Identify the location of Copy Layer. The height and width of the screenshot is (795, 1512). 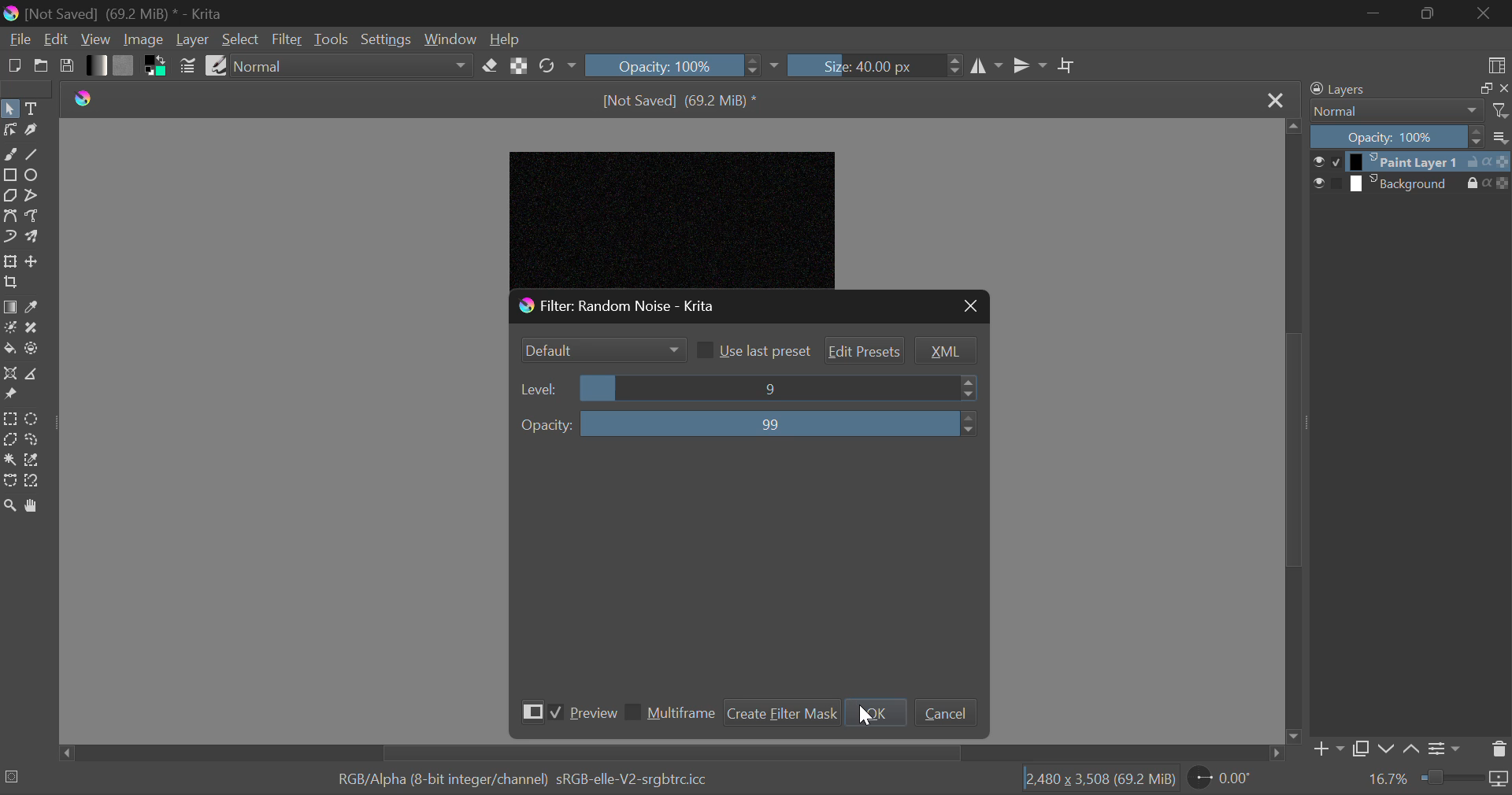
(1359, 747).